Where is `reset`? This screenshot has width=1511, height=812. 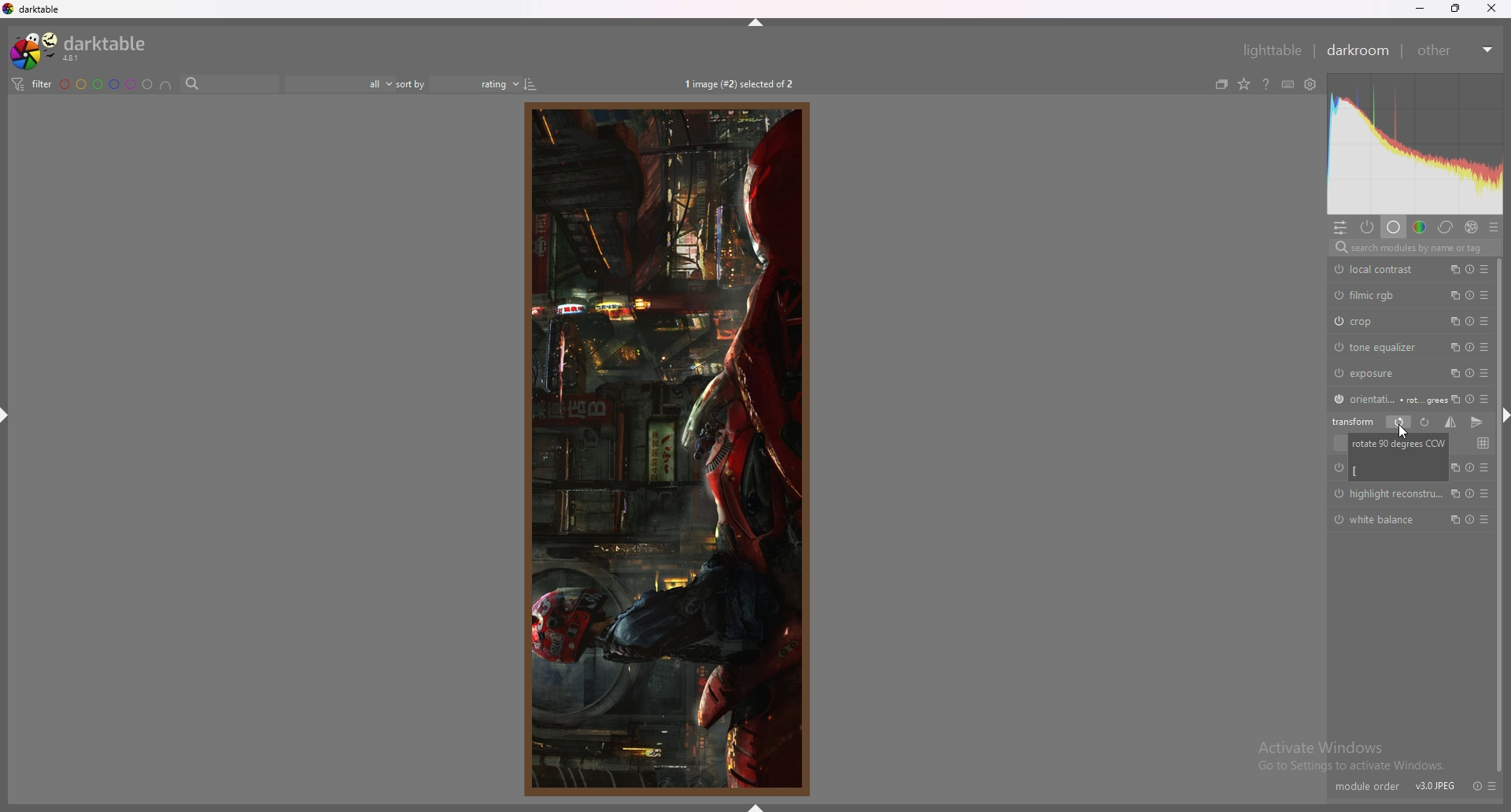
reset is located at coordinates (1470, 294).